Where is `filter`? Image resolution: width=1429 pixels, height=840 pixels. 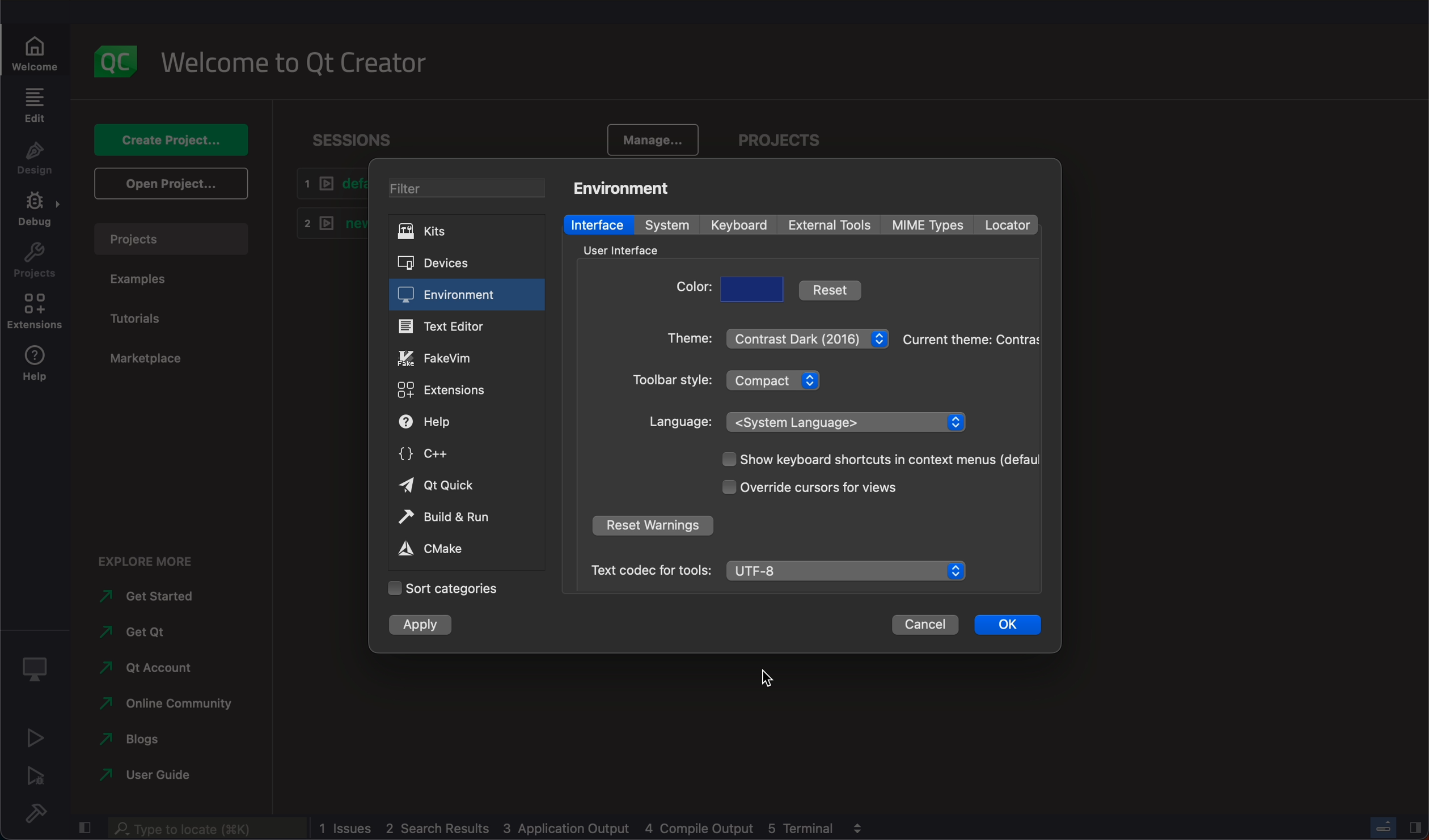 filter is located at coordinates (462, 186).